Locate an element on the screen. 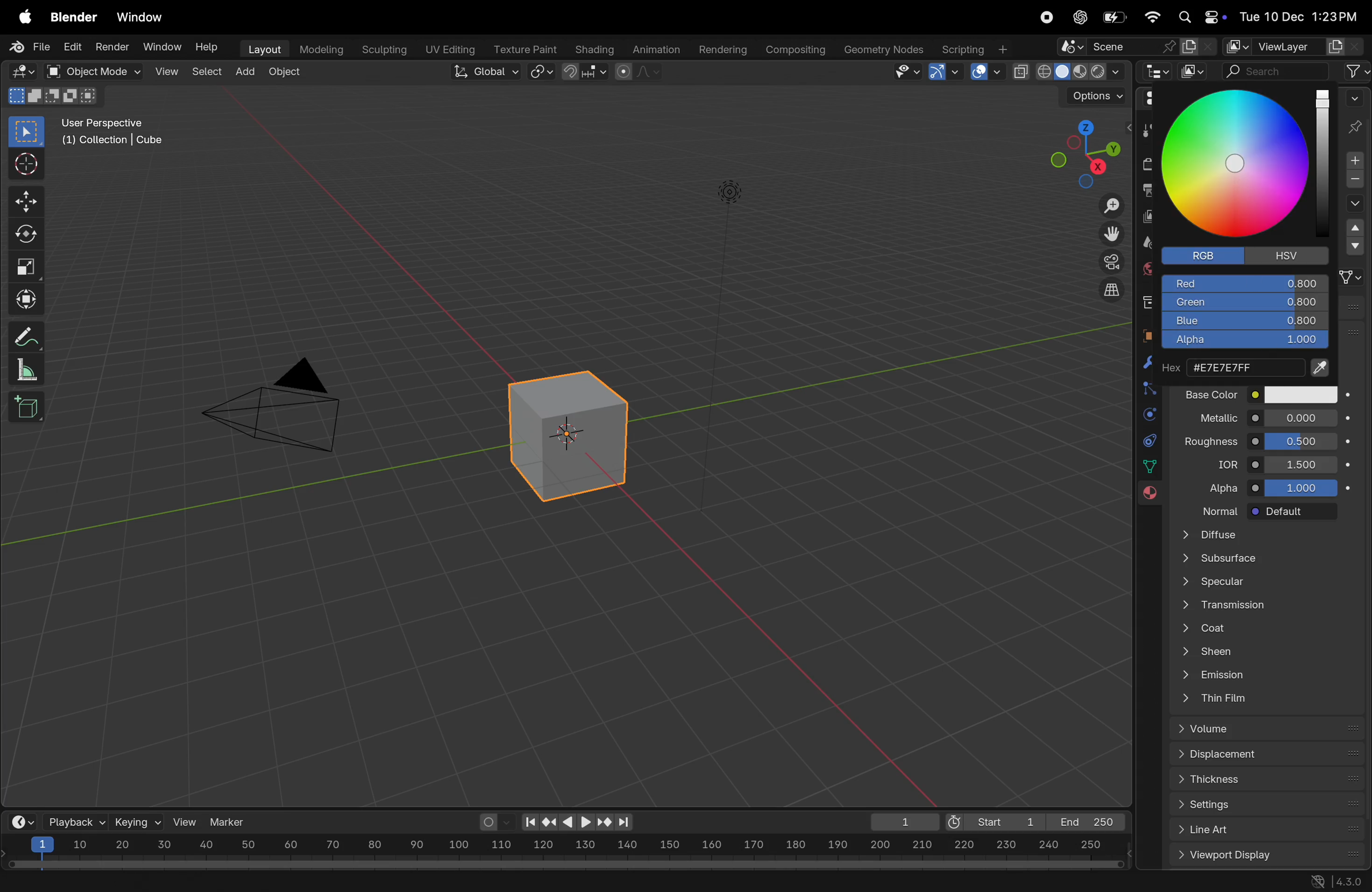 The width and height of the screenshot is (1372, 892). display mode is located at coordinates (1194, 71).